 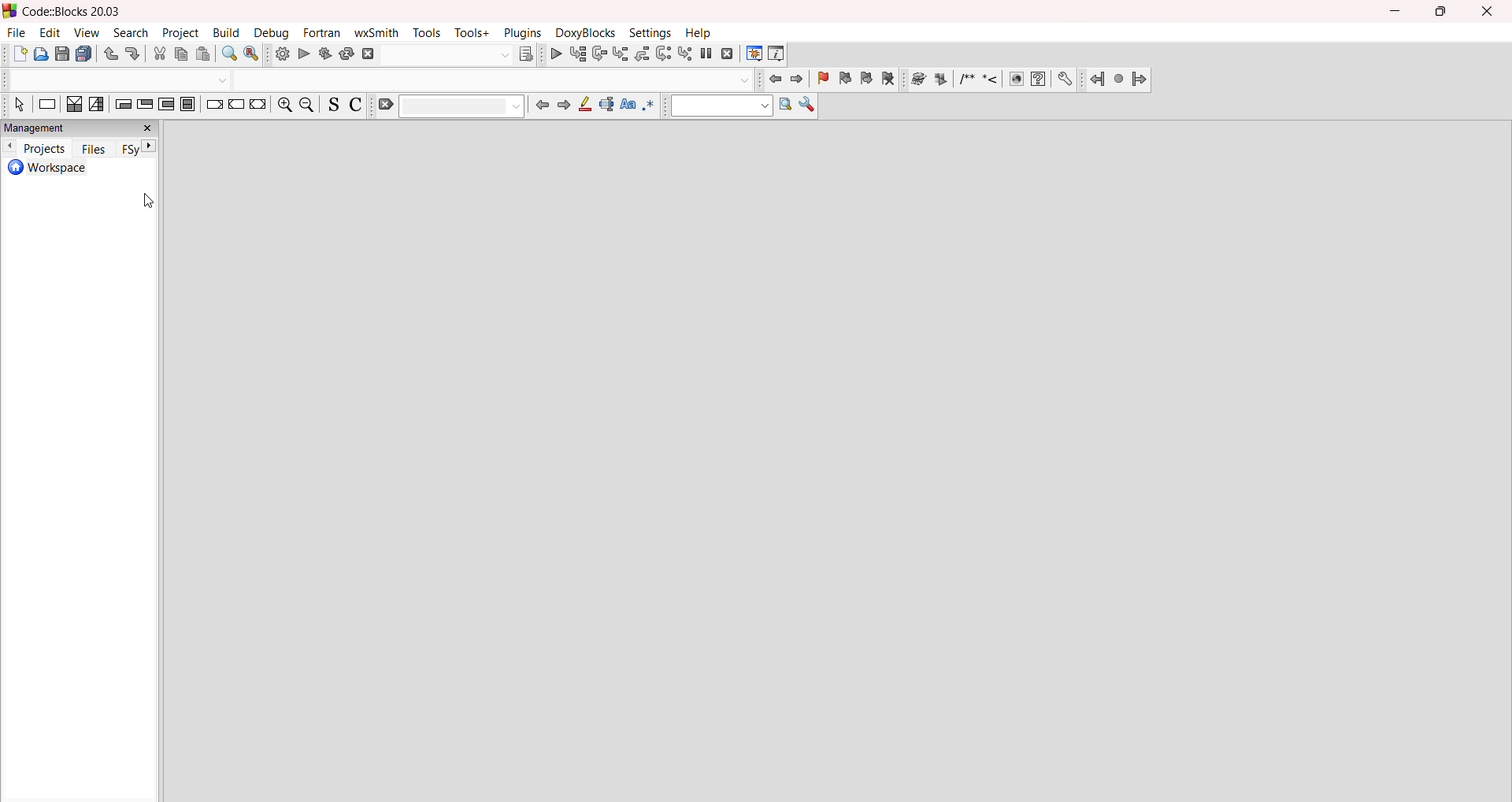 What do you see at coordinates (784, 106) in the screenshot?
I see `run search` at bounding box center [784, 106].